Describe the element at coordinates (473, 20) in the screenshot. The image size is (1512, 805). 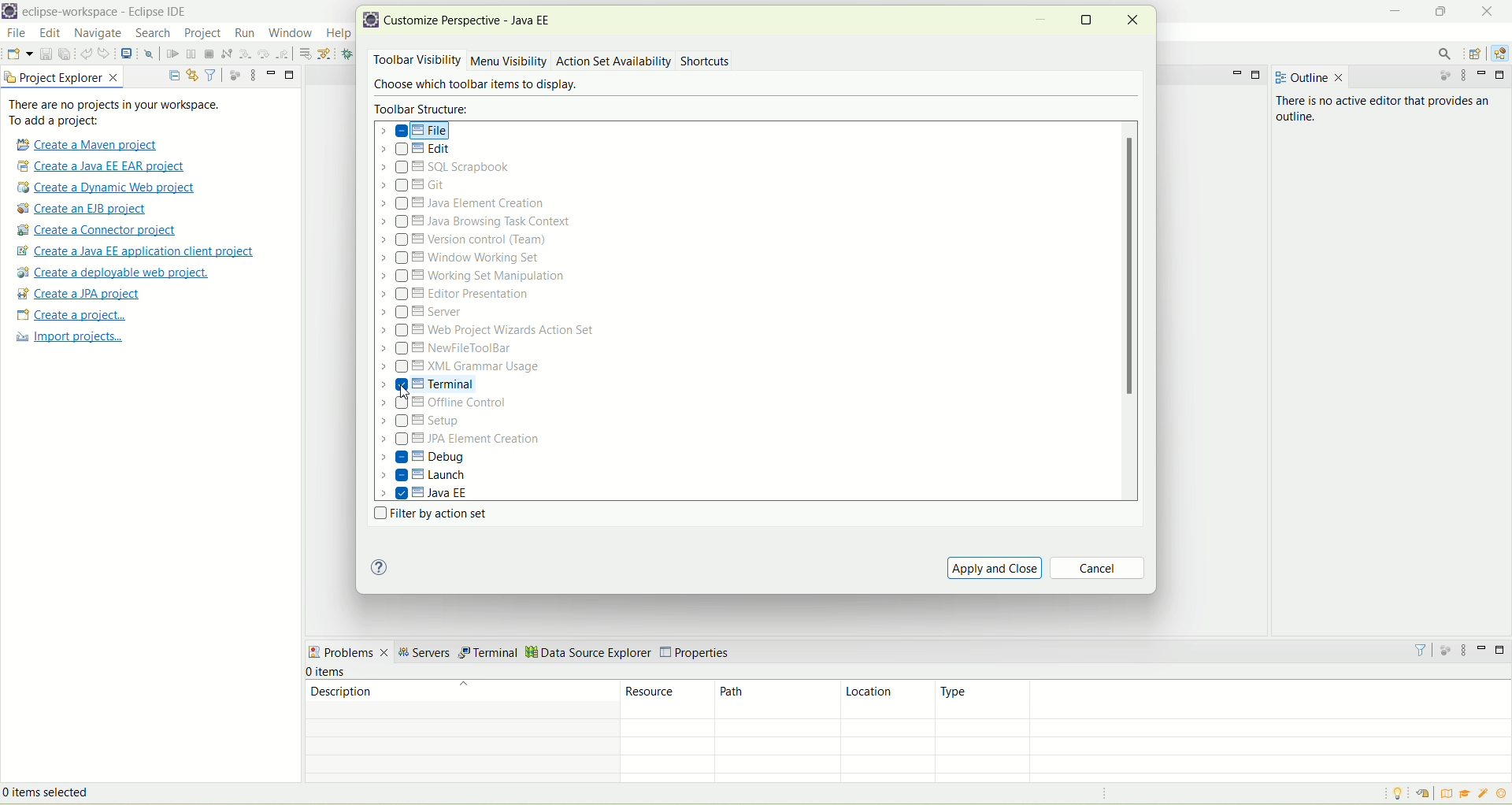
I see `customize perspective-Java EE` at that location.